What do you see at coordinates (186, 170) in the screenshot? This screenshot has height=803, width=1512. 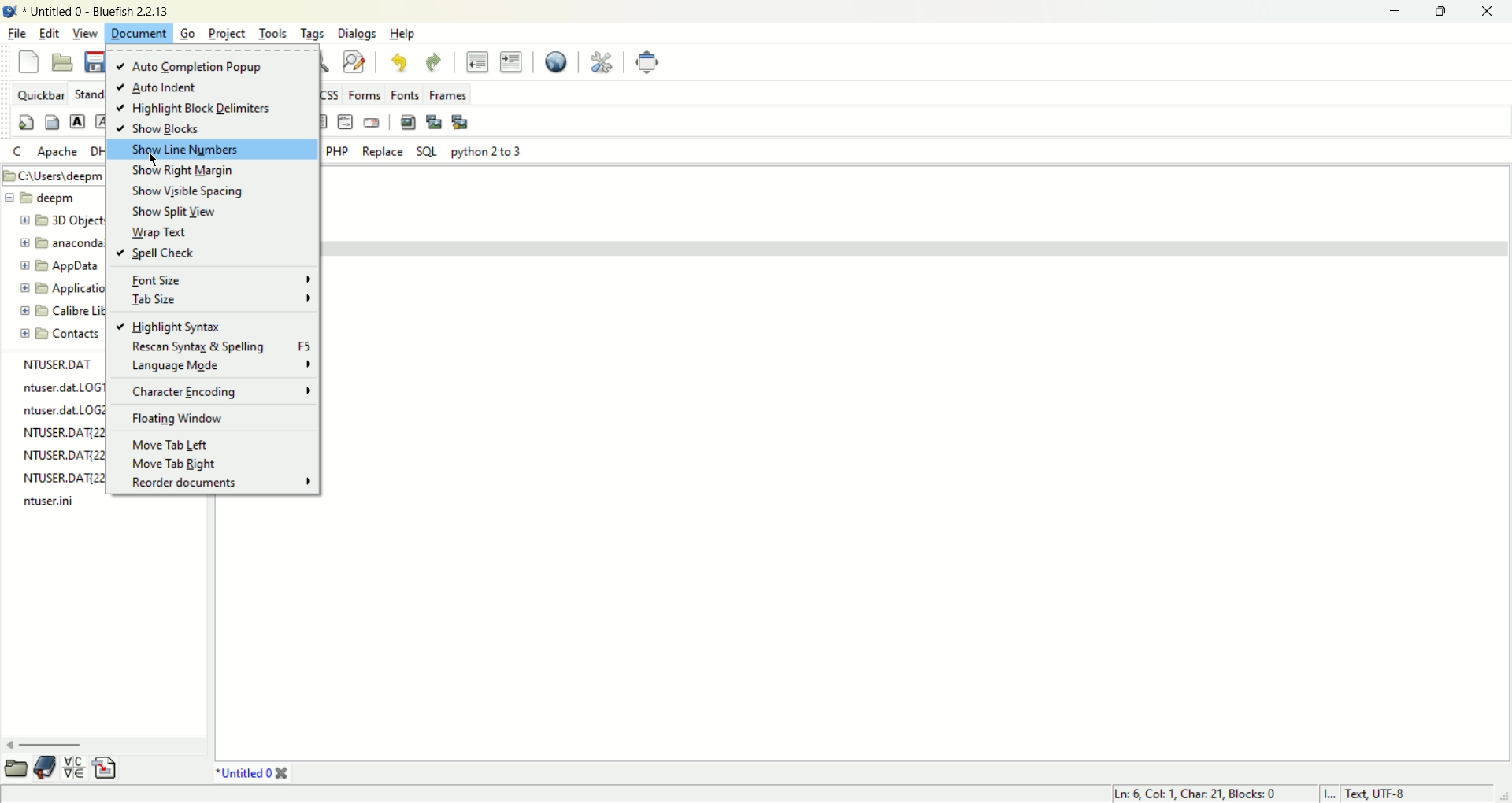 I see `show right margin` at bounding box center [186, 170].